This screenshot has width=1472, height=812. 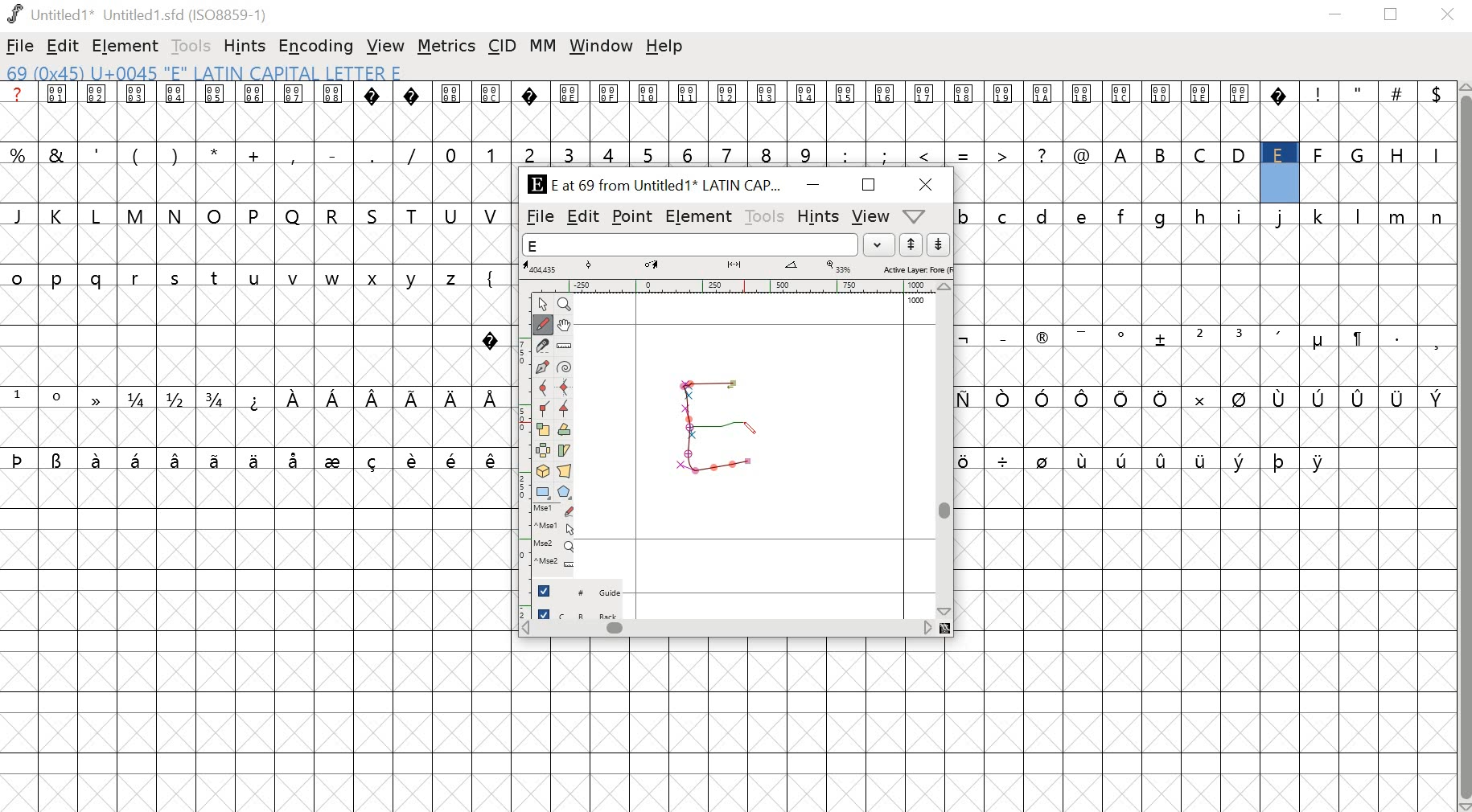 I want to click on element, so click(x=698, y=216).